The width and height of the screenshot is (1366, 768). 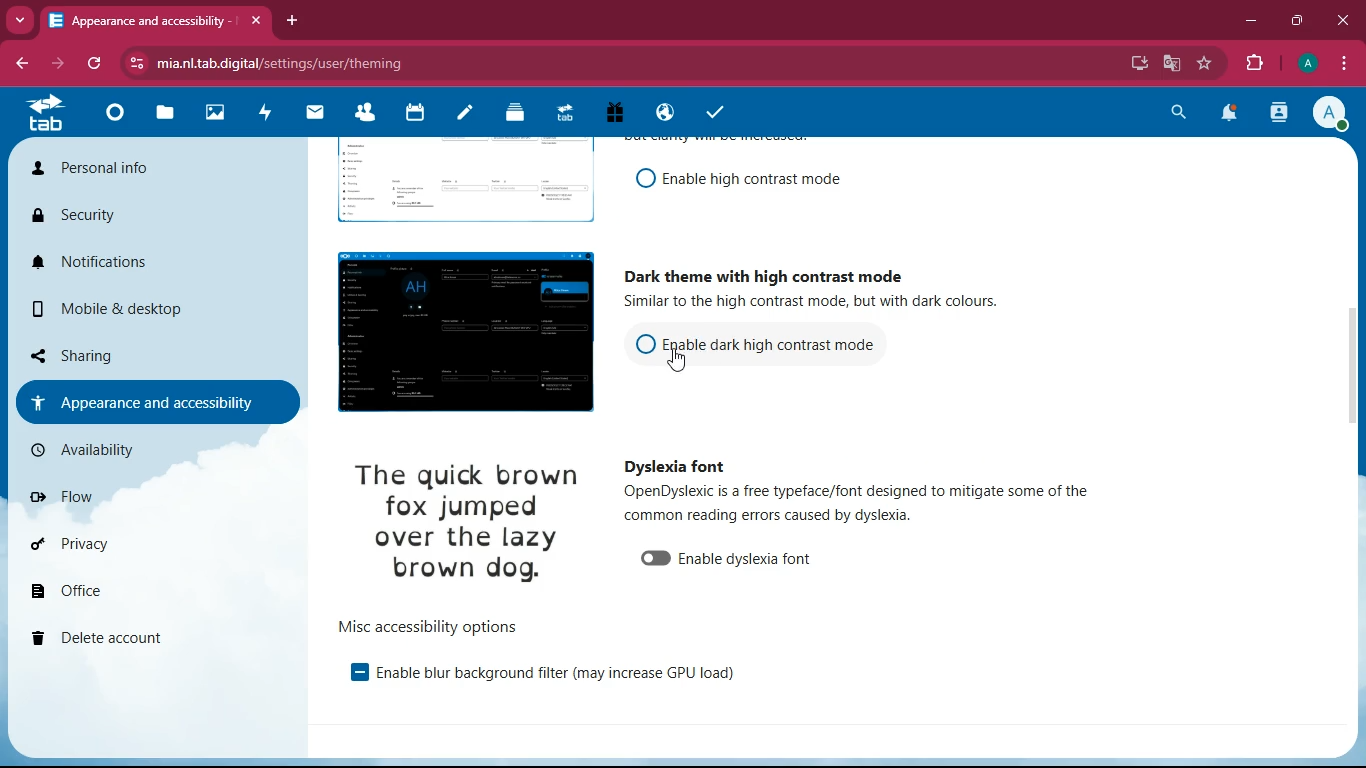 What do you see at coordinates (19, 21) in the screenshot?
I see `more` at bounding box center [19, 21].